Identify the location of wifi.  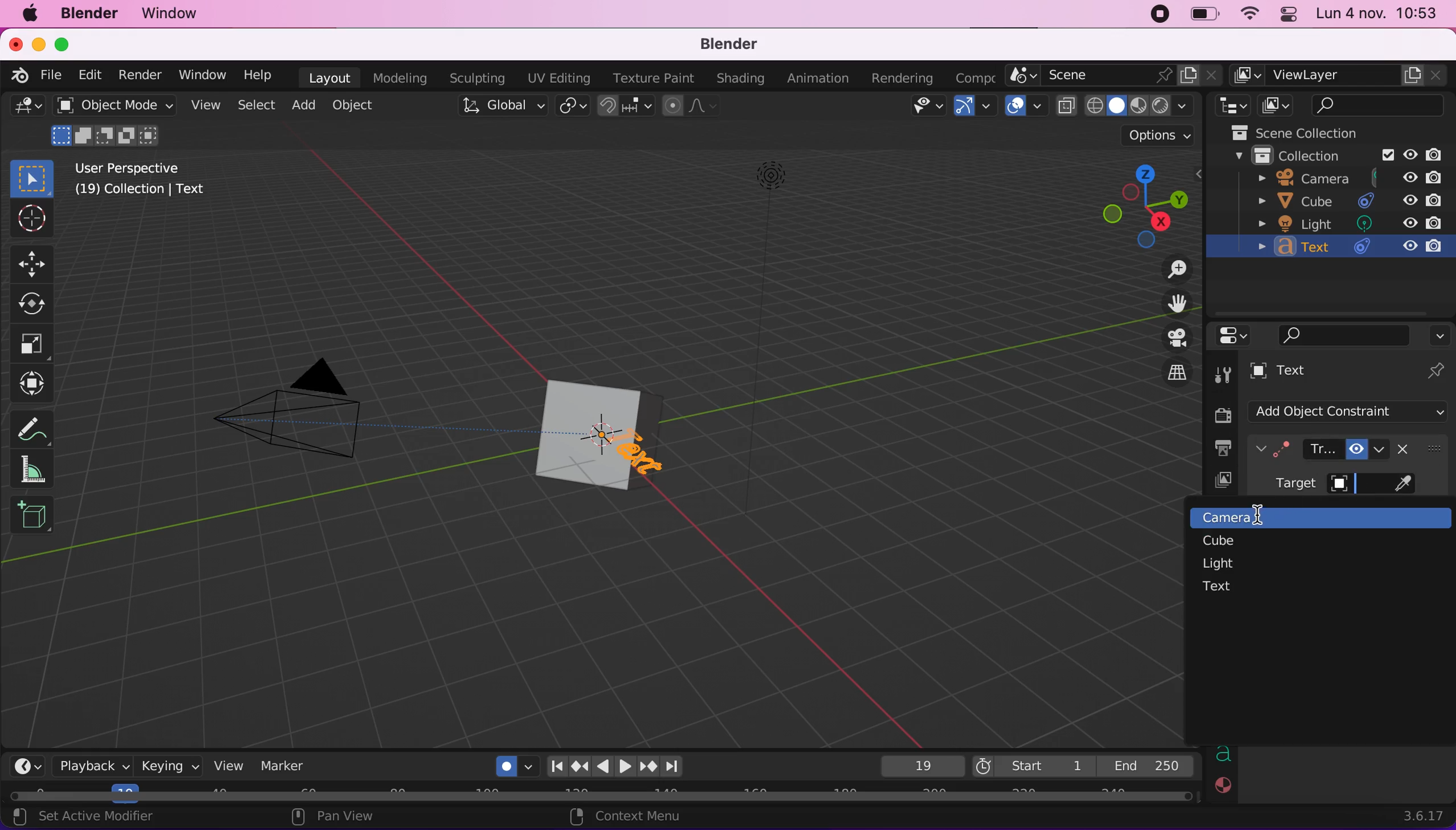
(1250, 15).